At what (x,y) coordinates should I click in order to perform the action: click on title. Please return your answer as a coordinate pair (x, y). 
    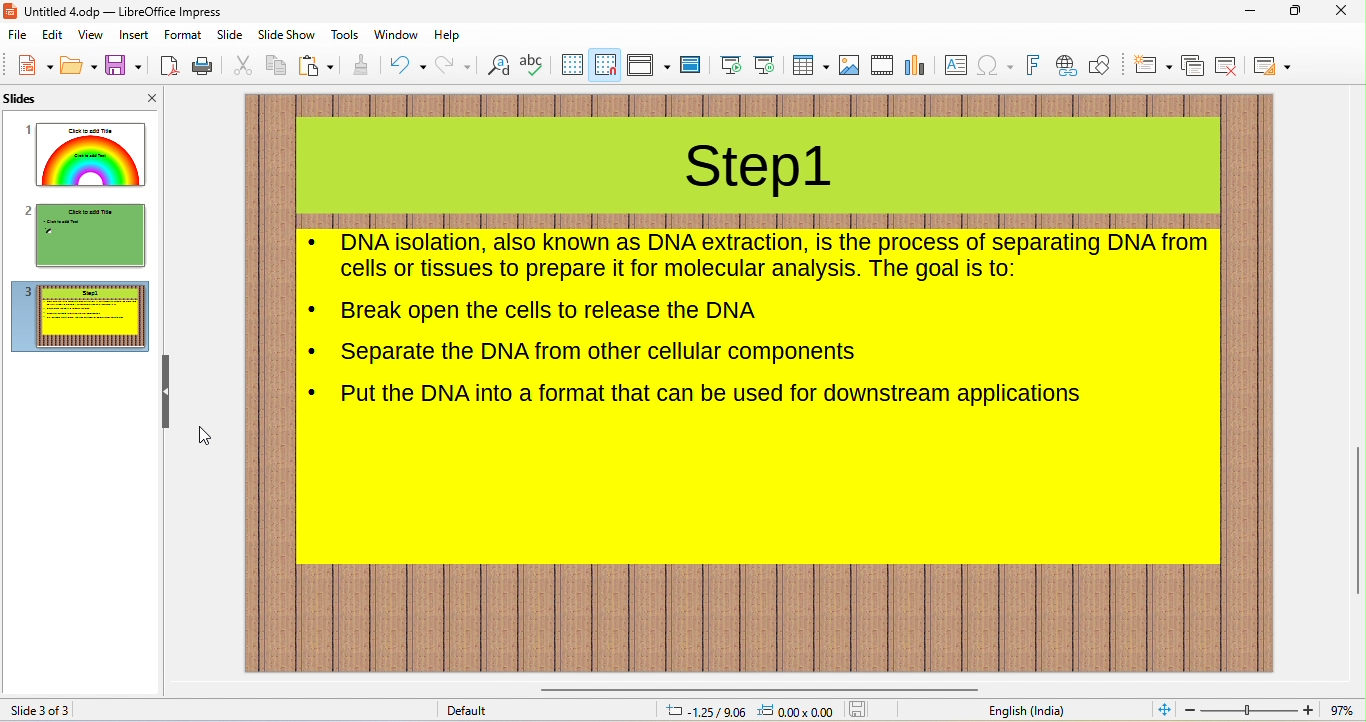
    Looking at the image, I should click on (760, 171).